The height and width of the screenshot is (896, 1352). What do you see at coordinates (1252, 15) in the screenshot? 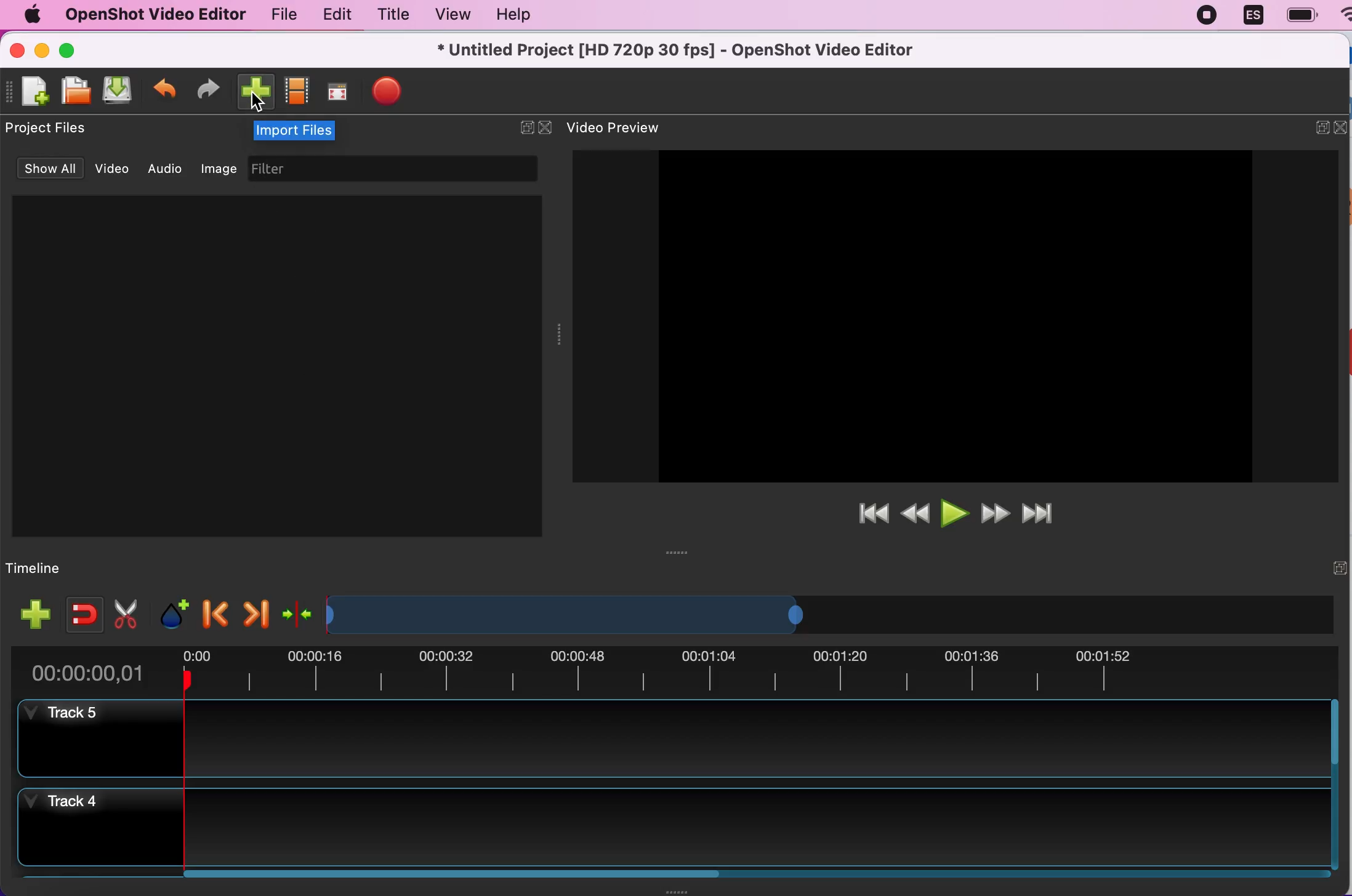
I see `language` at bounding box center [1252, 15].